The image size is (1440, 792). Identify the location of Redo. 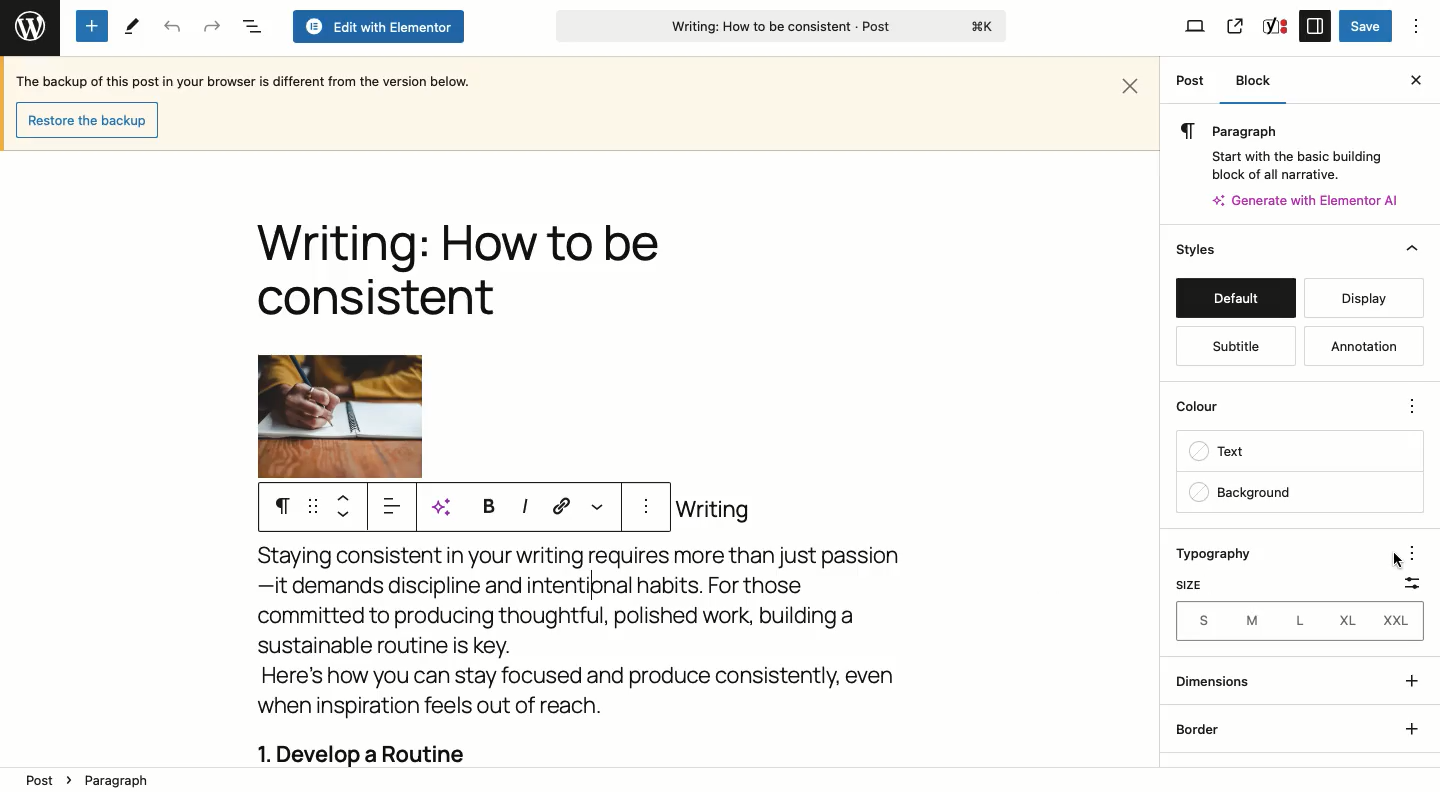
(212, 26).